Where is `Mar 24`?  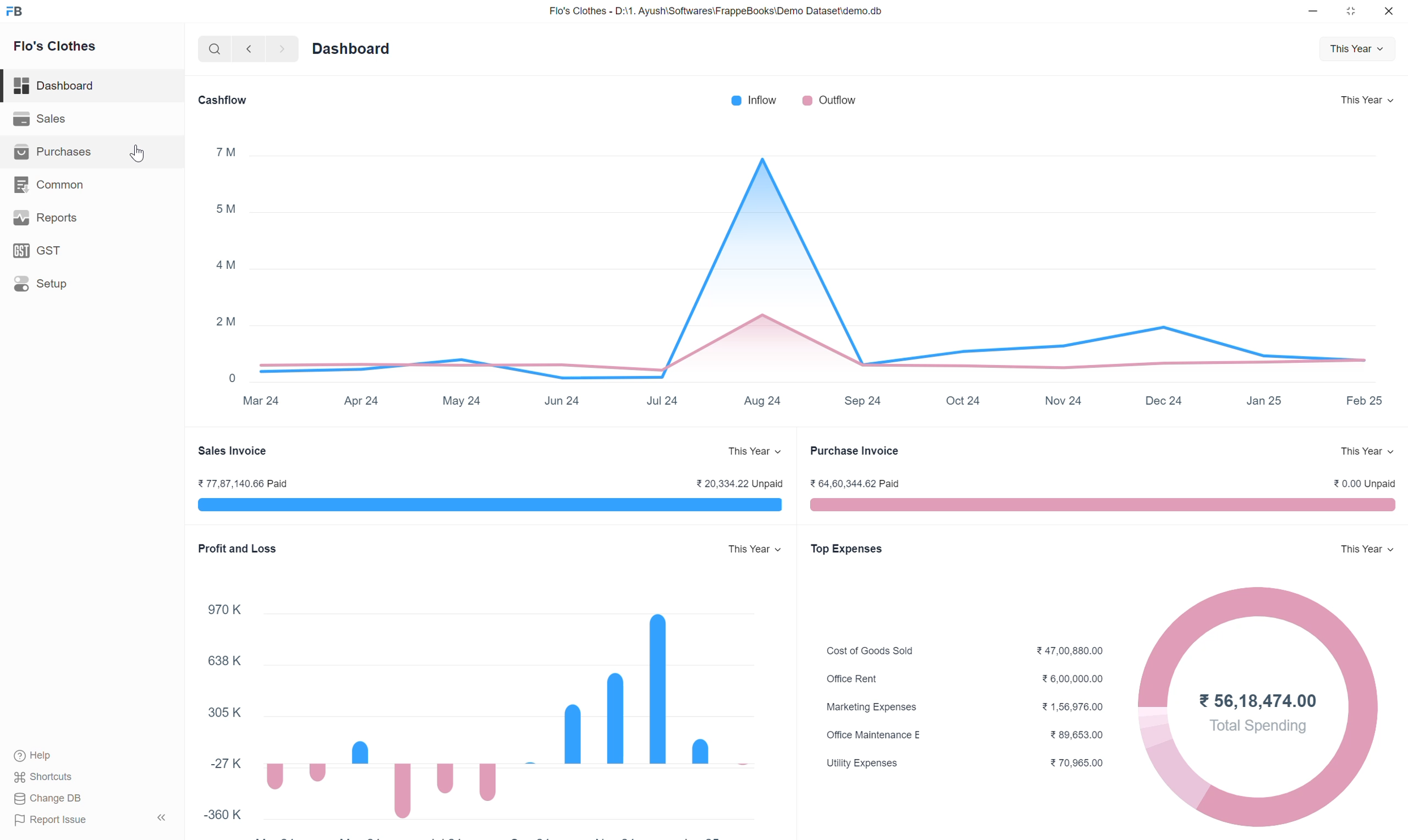 Mar 24 is located at coordinates (261, 400).